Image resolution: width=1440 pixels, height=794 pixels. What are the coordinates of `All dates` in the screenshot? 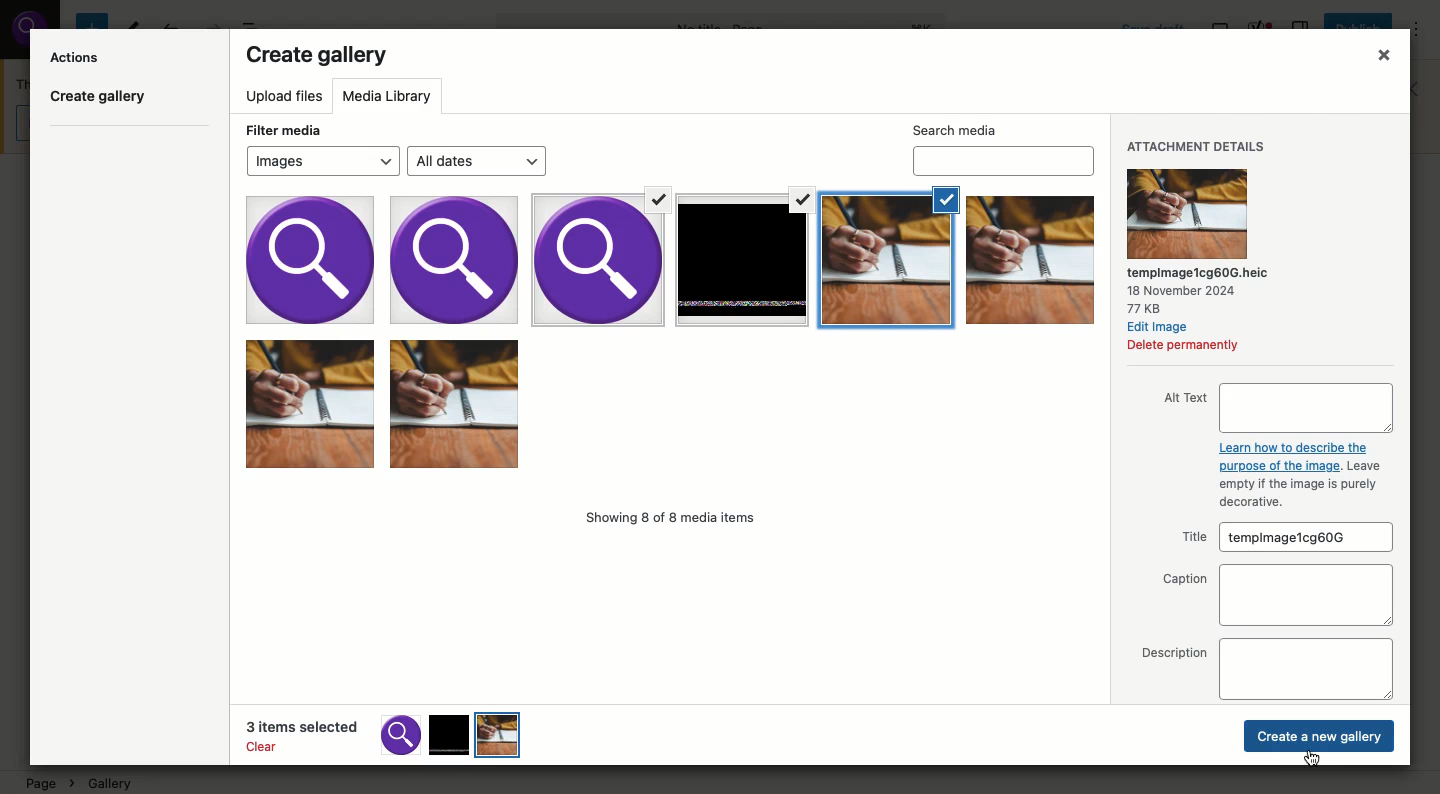 It's located at (479, 162).